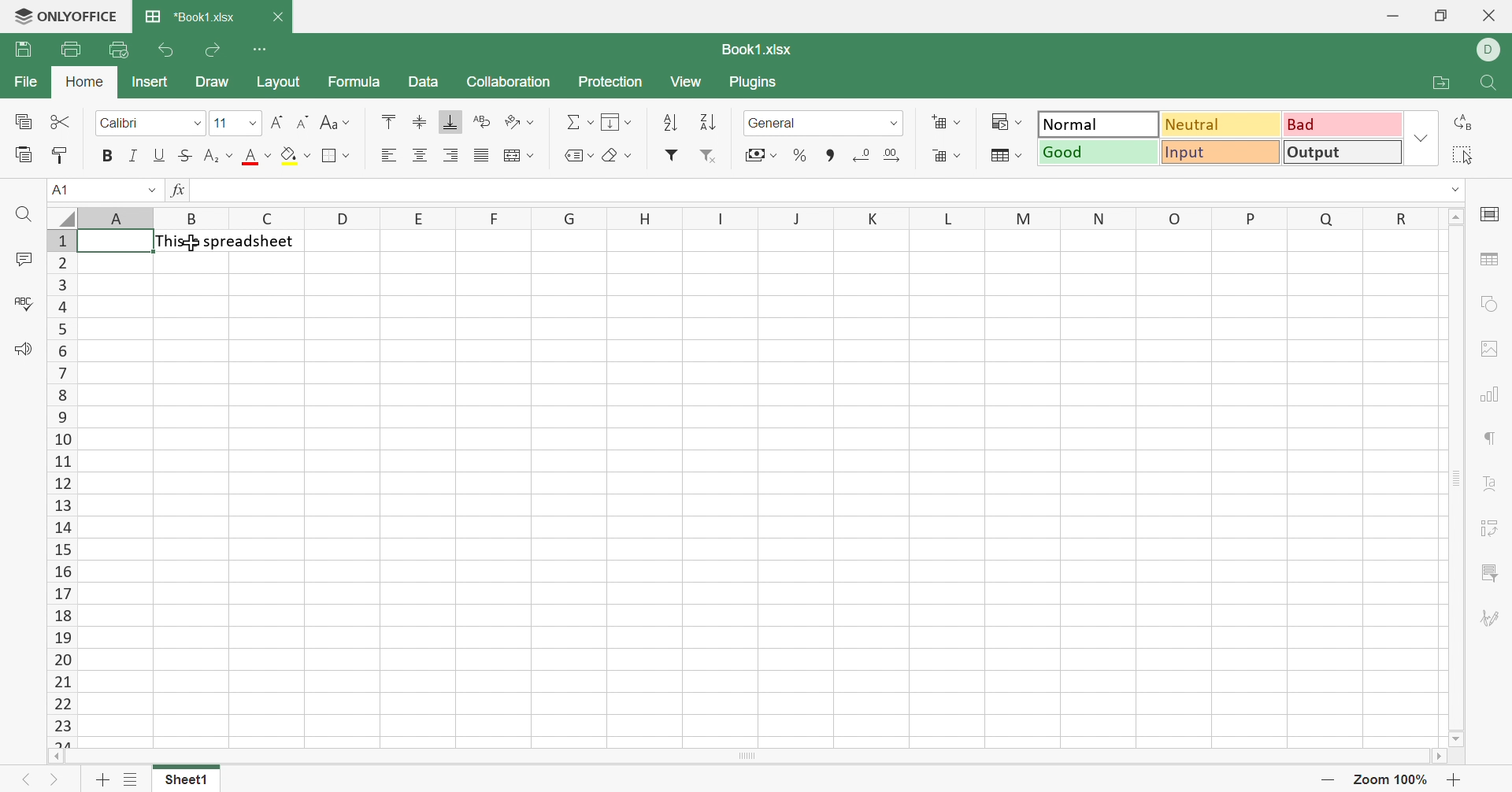 The image size is (1512, 792). What do you see at coordinates (61, 155) in the screenshot?
I see `Copy Style` at bounding box center [61, 155].